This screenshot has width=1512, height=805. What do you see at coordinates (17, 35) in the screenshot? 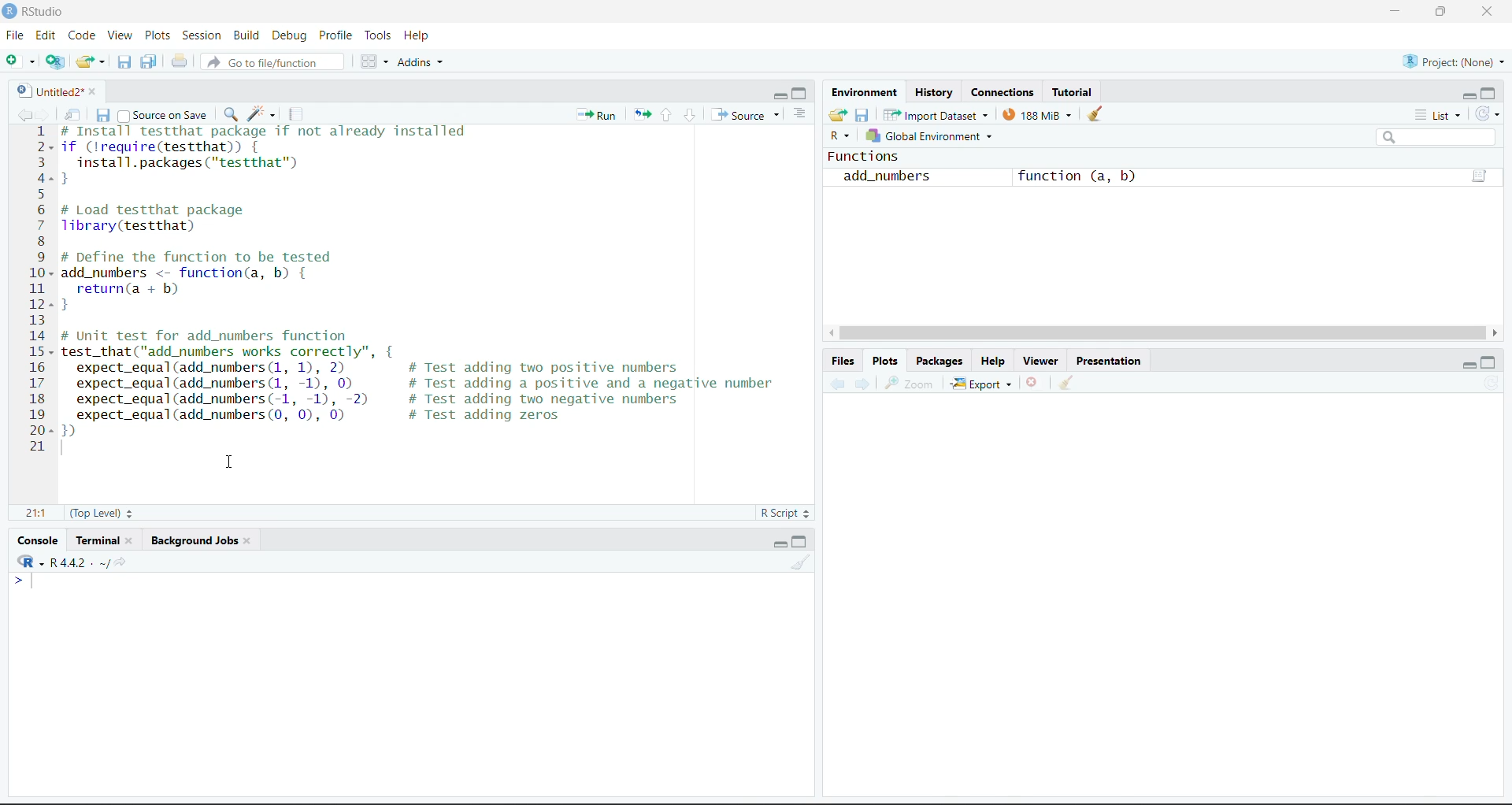
I see `File` at bounding box center [17, 35].